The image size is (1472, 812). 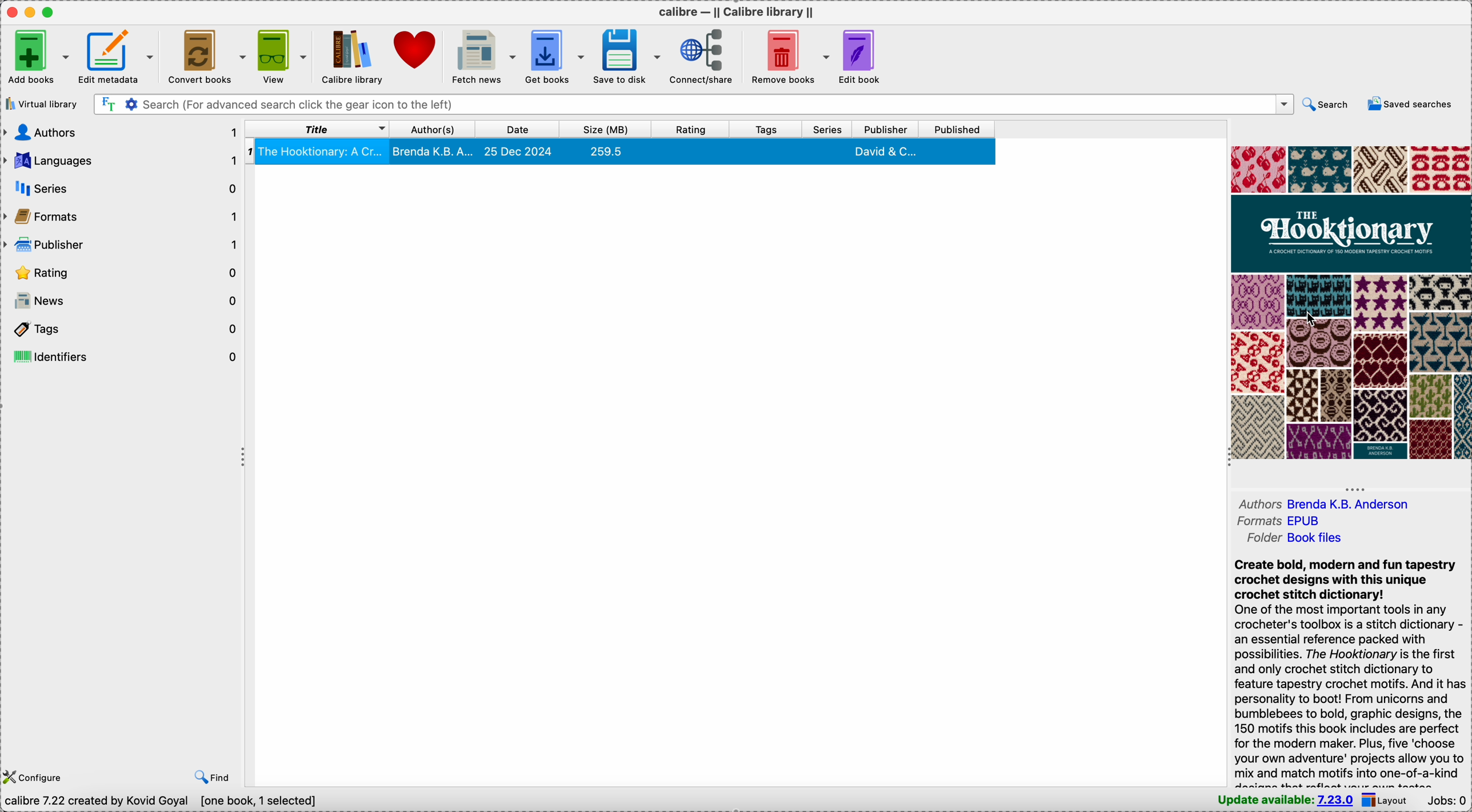 I want to click on save to disk, so click(x=626, y=55).